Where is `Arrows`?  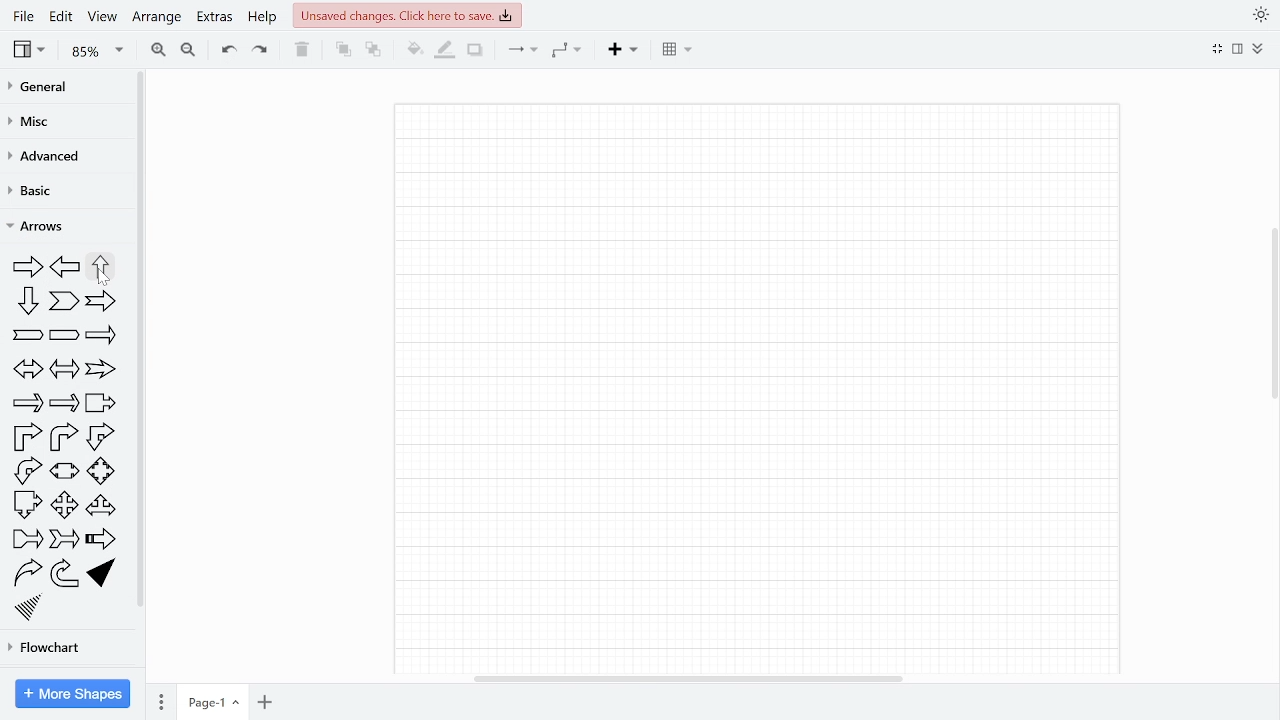
Arrows is located at coordinates (45, 227).